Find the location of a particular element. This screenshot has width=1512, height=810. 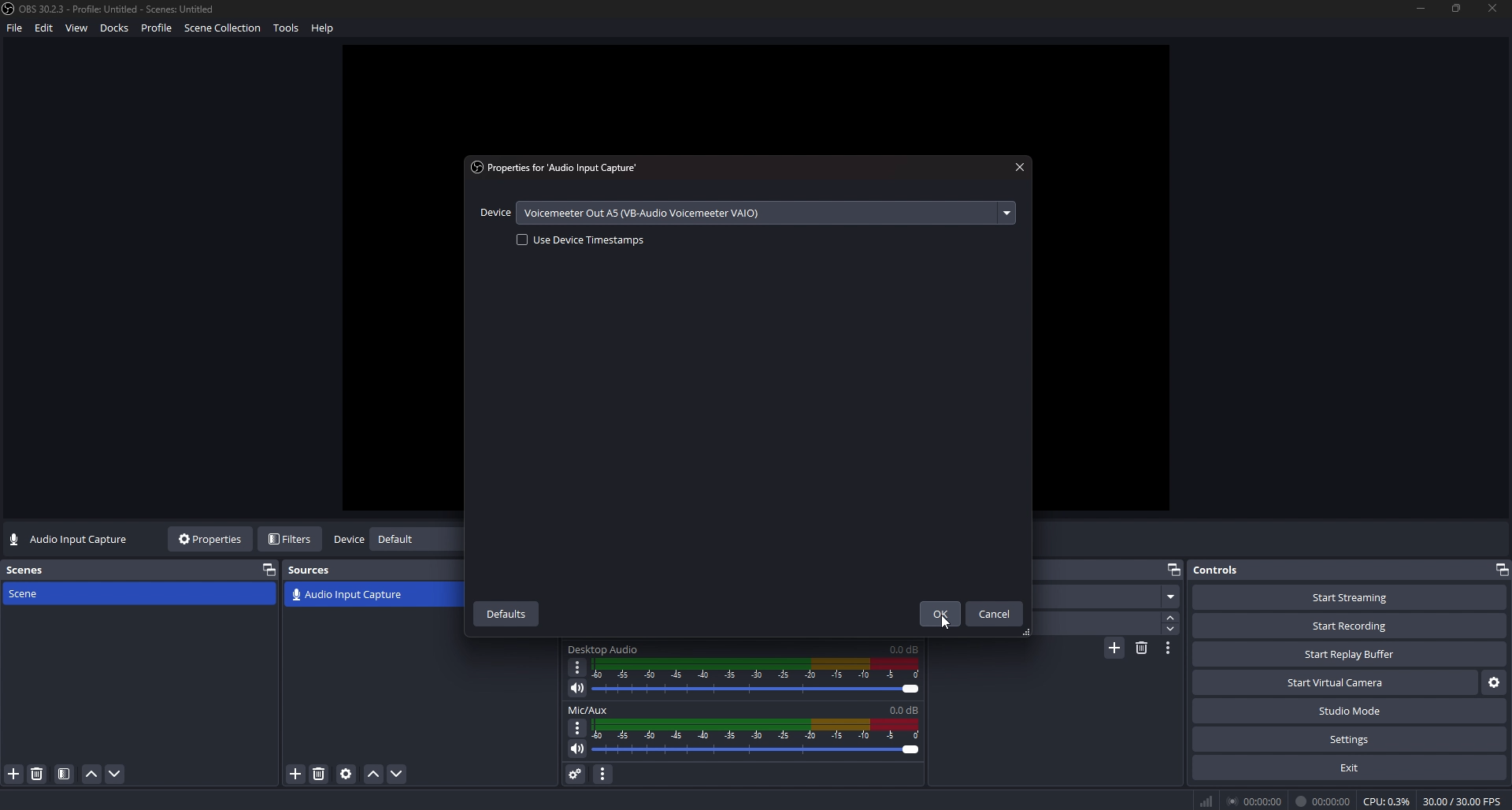

options is located at coordinates (577, 667).